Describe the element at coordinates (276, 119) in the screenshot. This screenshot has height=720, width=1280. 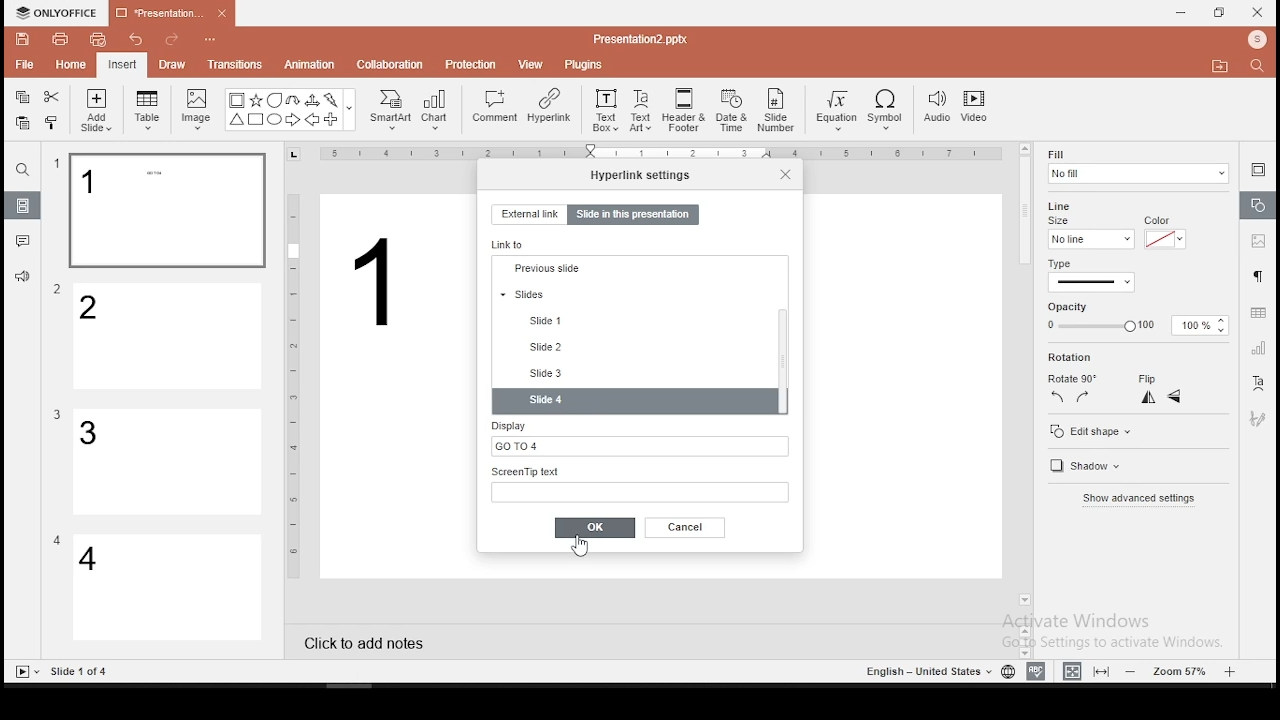
I see `Circle` at that location.